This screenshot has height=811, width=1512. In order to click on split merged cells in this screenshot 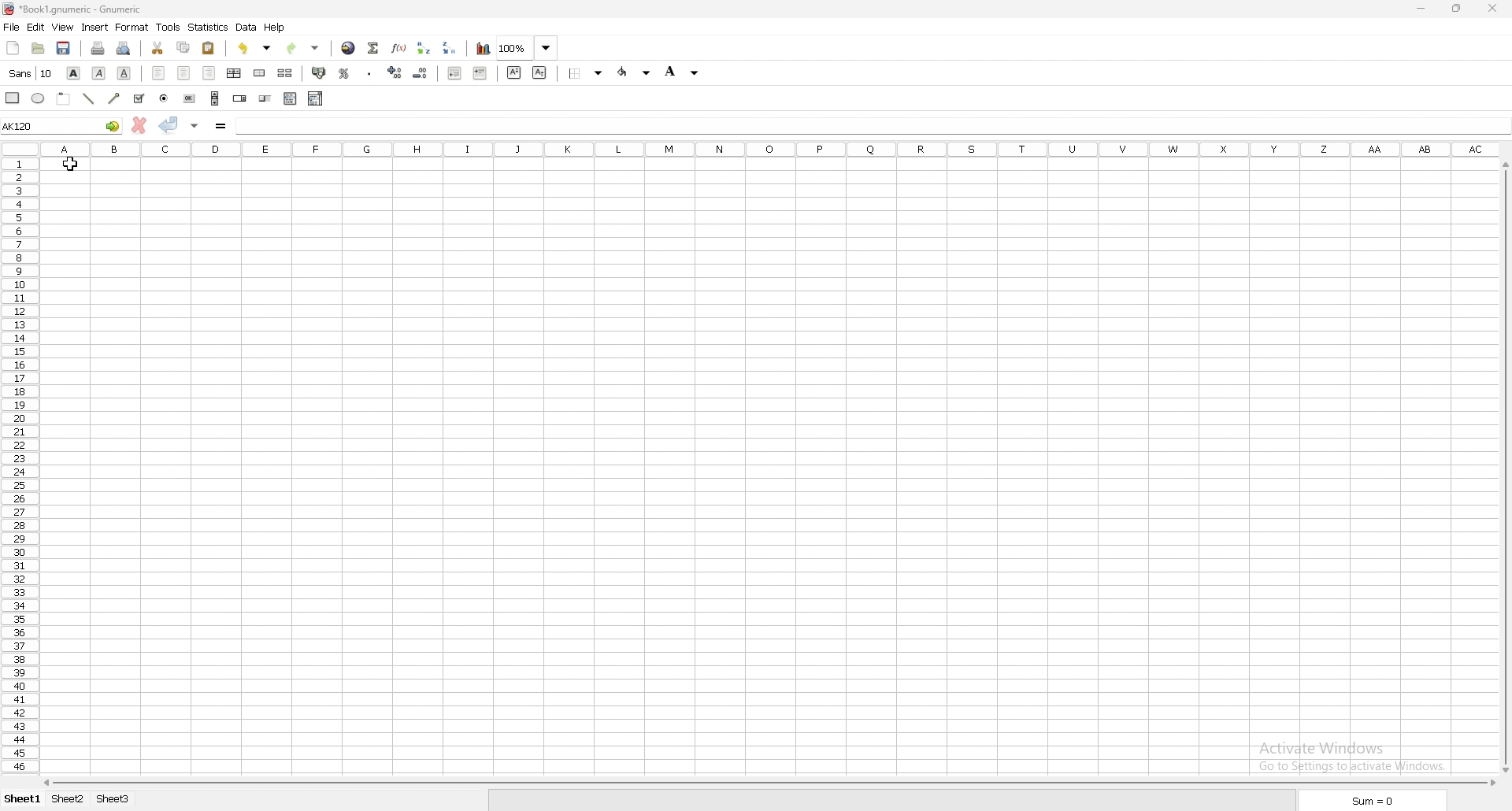, I will do `click(285, 73)`.